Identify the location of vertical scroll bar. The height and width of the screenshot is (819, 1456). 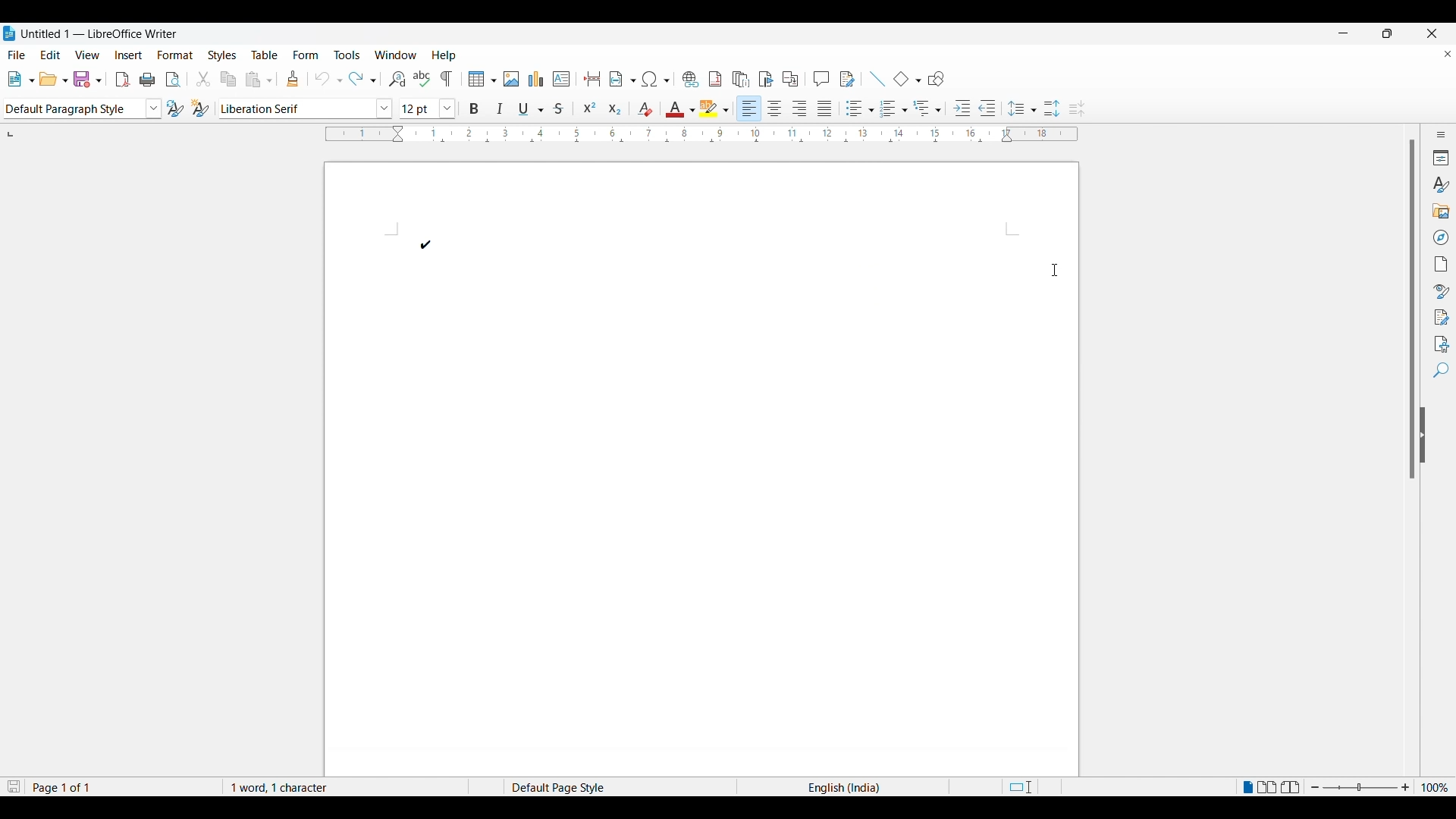
(1404, 319).